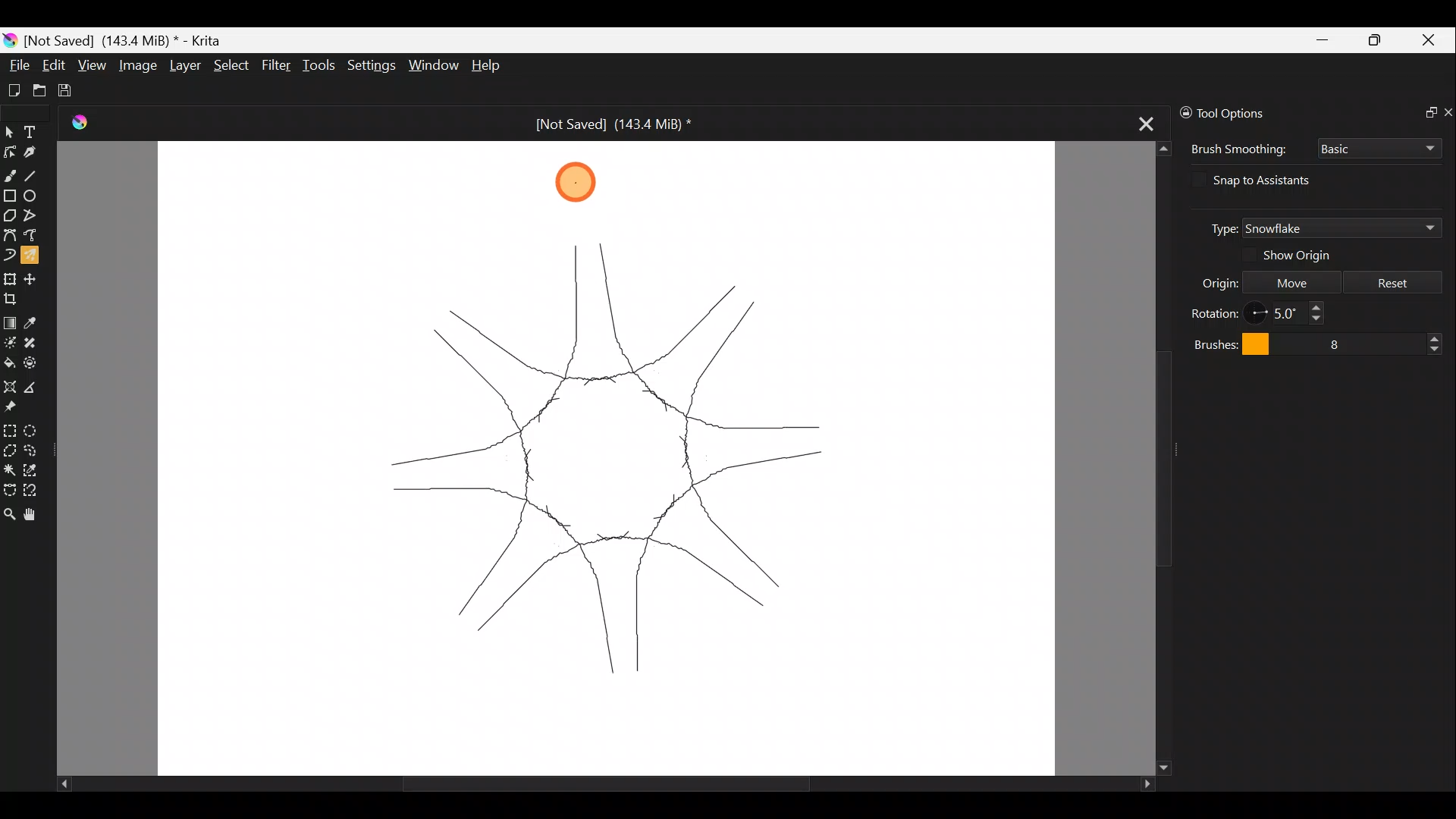 Image resolution: width=1456 pixels, height=819 pixels. What do you see at coordinates (40, 89) in the screenshot?
I see `Open existing document` at bounding box center [40, 89].